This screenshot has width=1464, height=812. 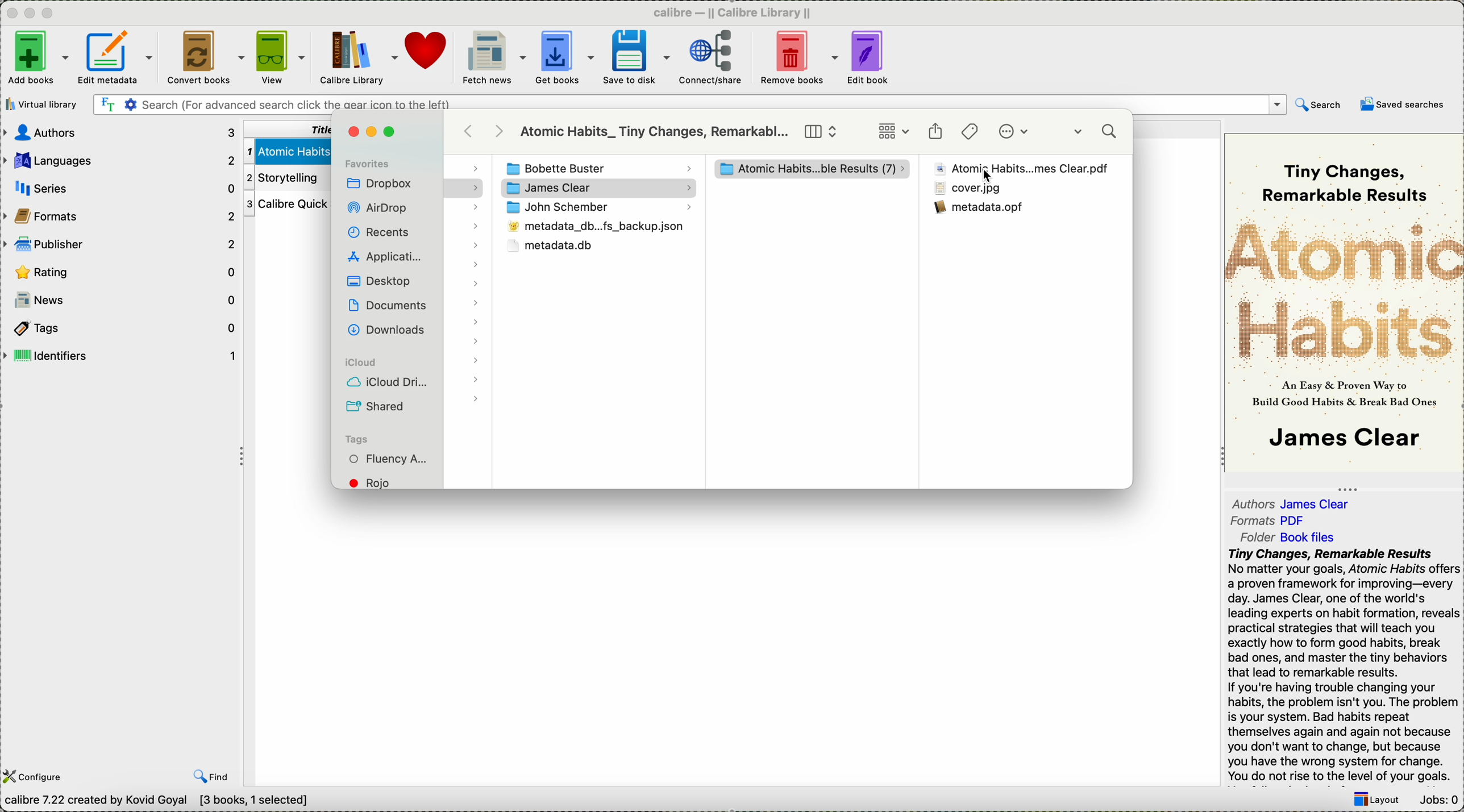 I want to click on minimize window, so click(x=375, y=132).